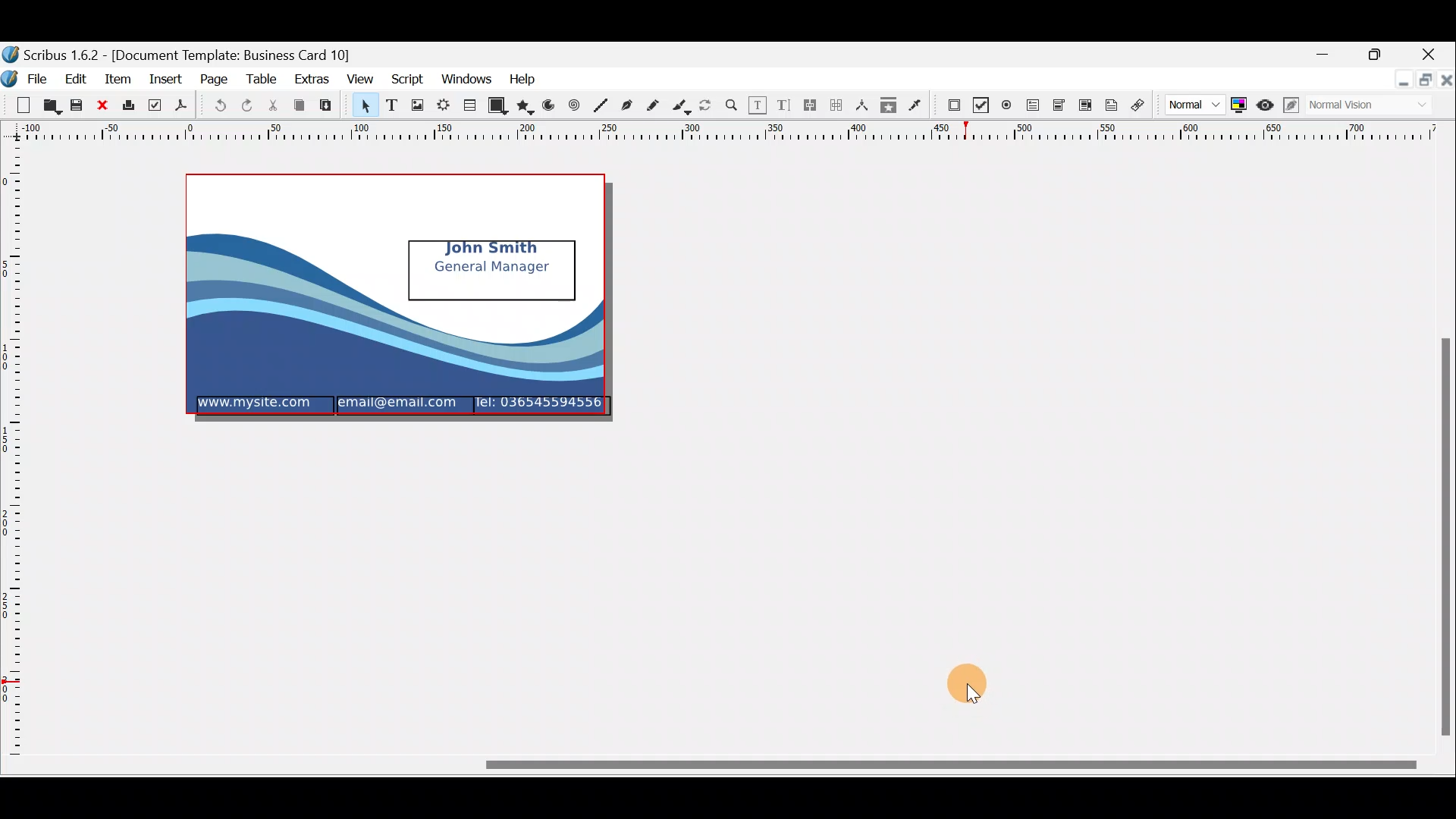  I want to click on Open, so click(49, 105).